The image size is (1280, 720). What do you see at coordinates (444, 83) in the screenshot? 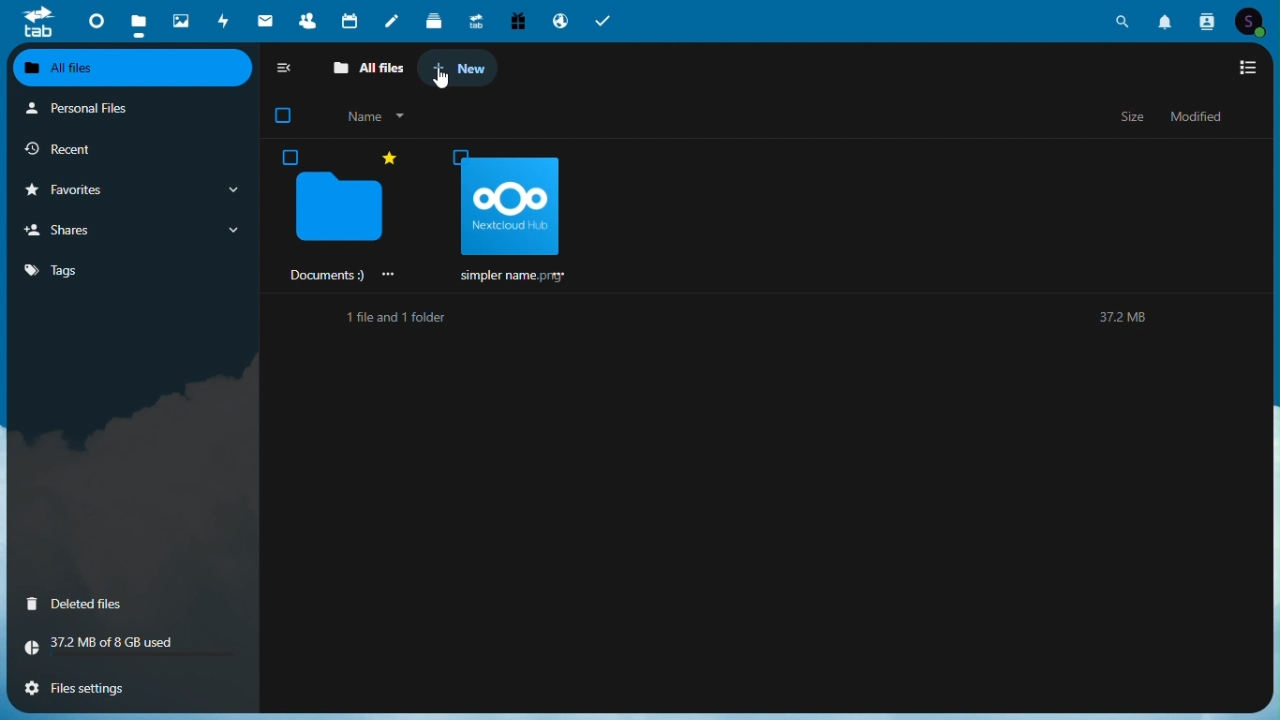
I see `cursor` at bounding box center [444, 83].